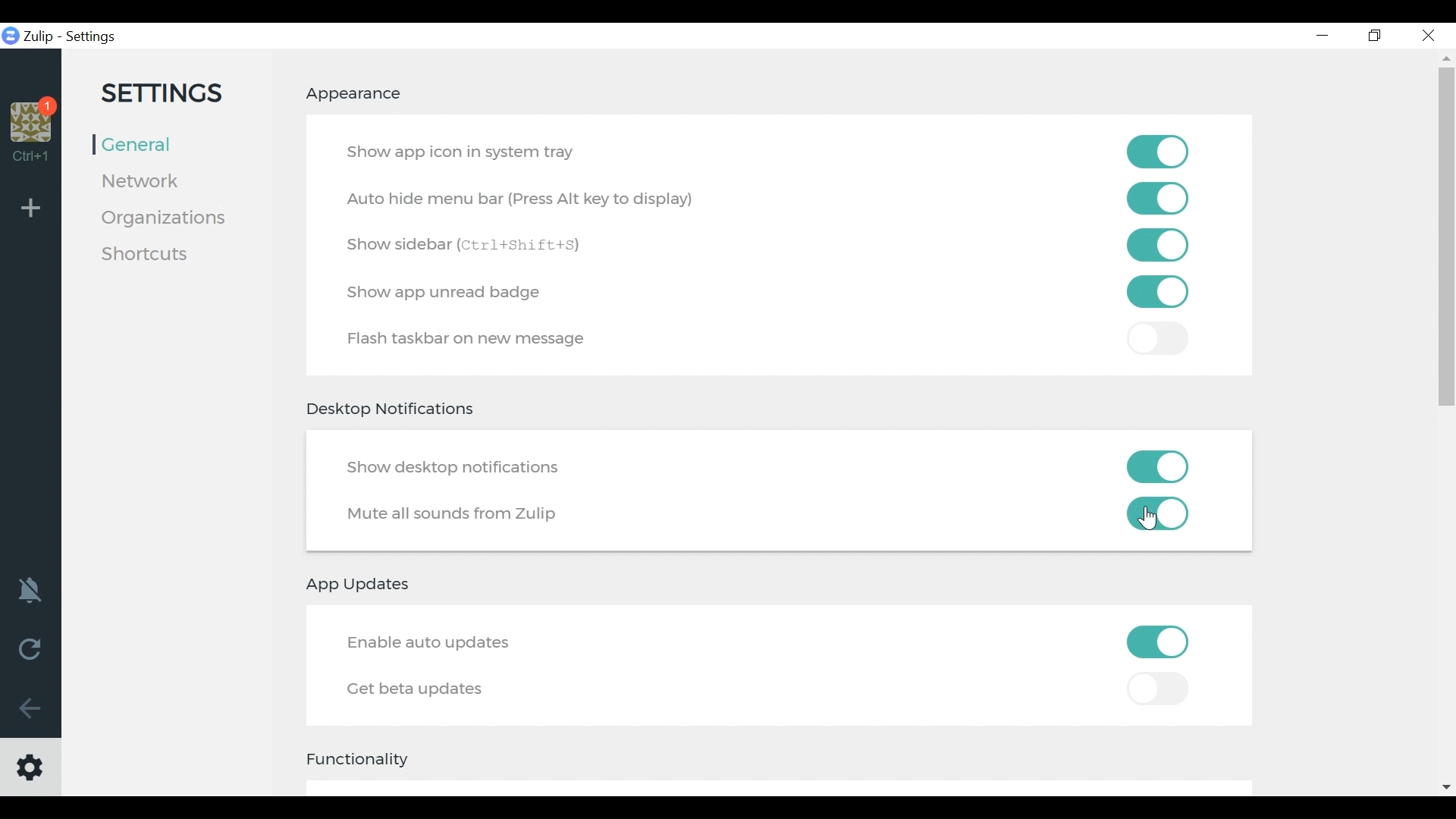 This screenshot has height=819, width=1456. I want to click on Show app unread badge, so click(450, 293).